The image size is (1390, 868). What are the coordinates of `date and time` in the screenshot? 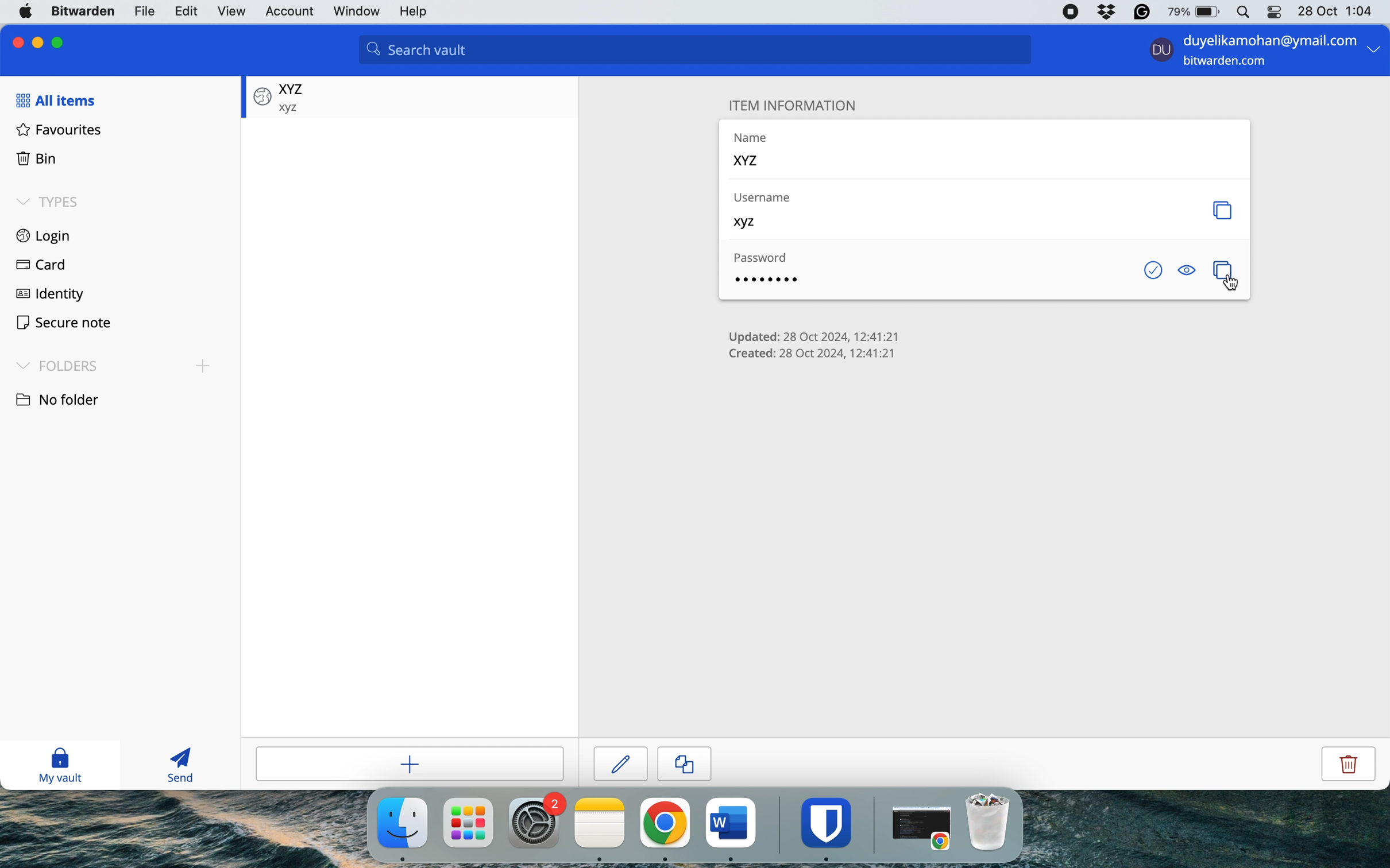 It's located at (1338, 10).